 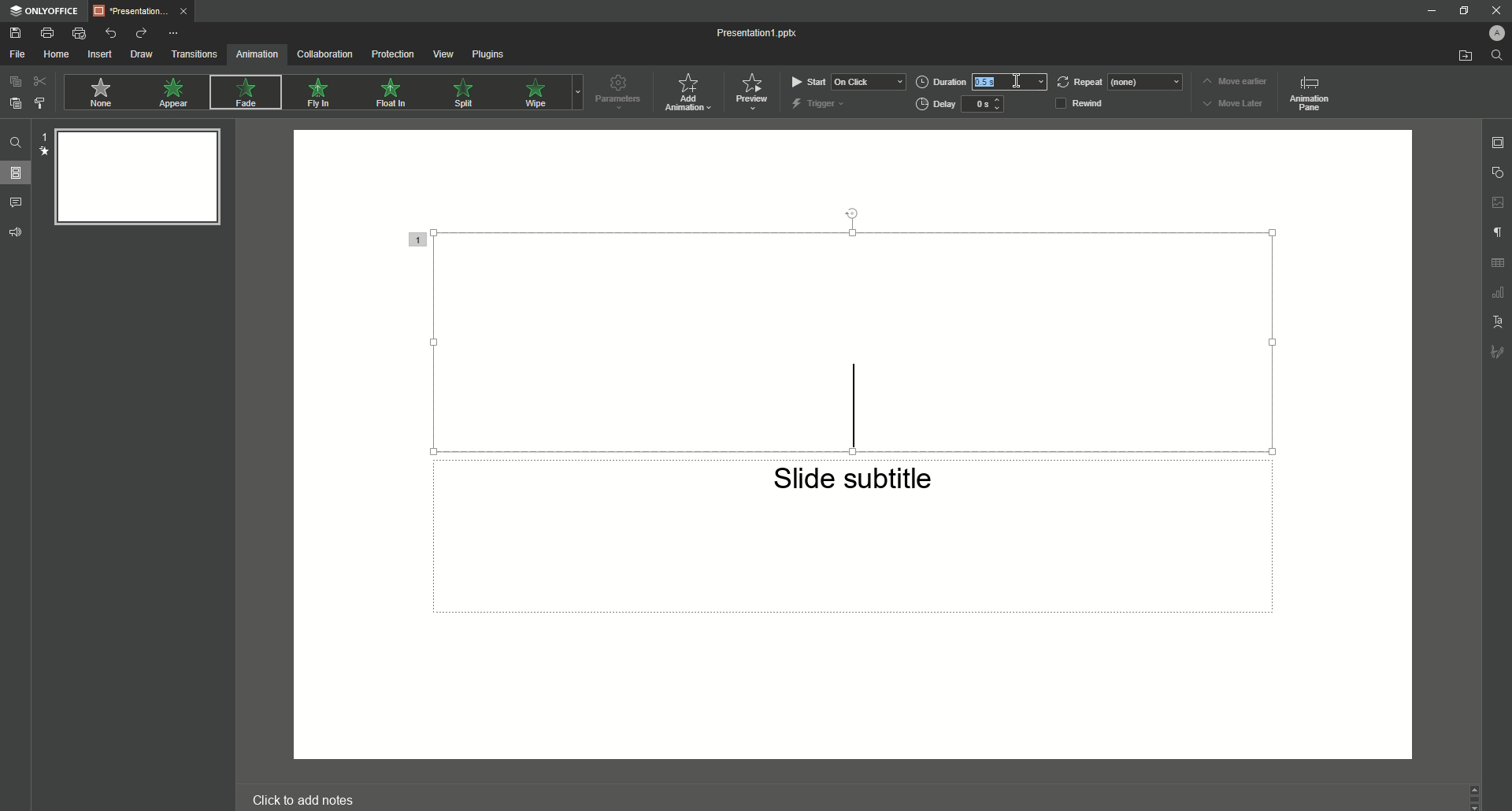 I want to click on Slide subtitle, so click(x=855, y=484).